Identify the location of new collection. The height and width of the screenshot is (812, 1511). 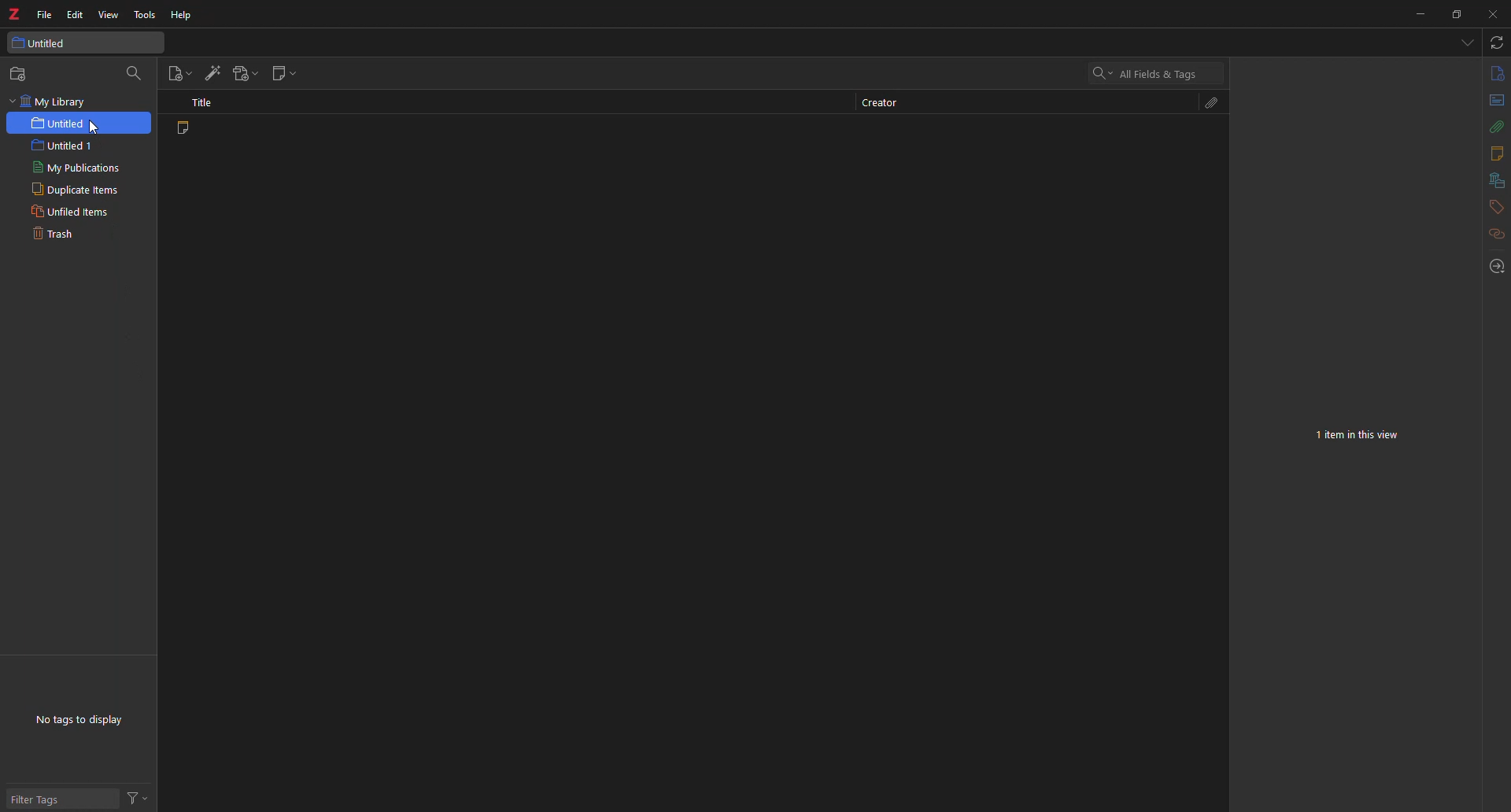
(21, 74).